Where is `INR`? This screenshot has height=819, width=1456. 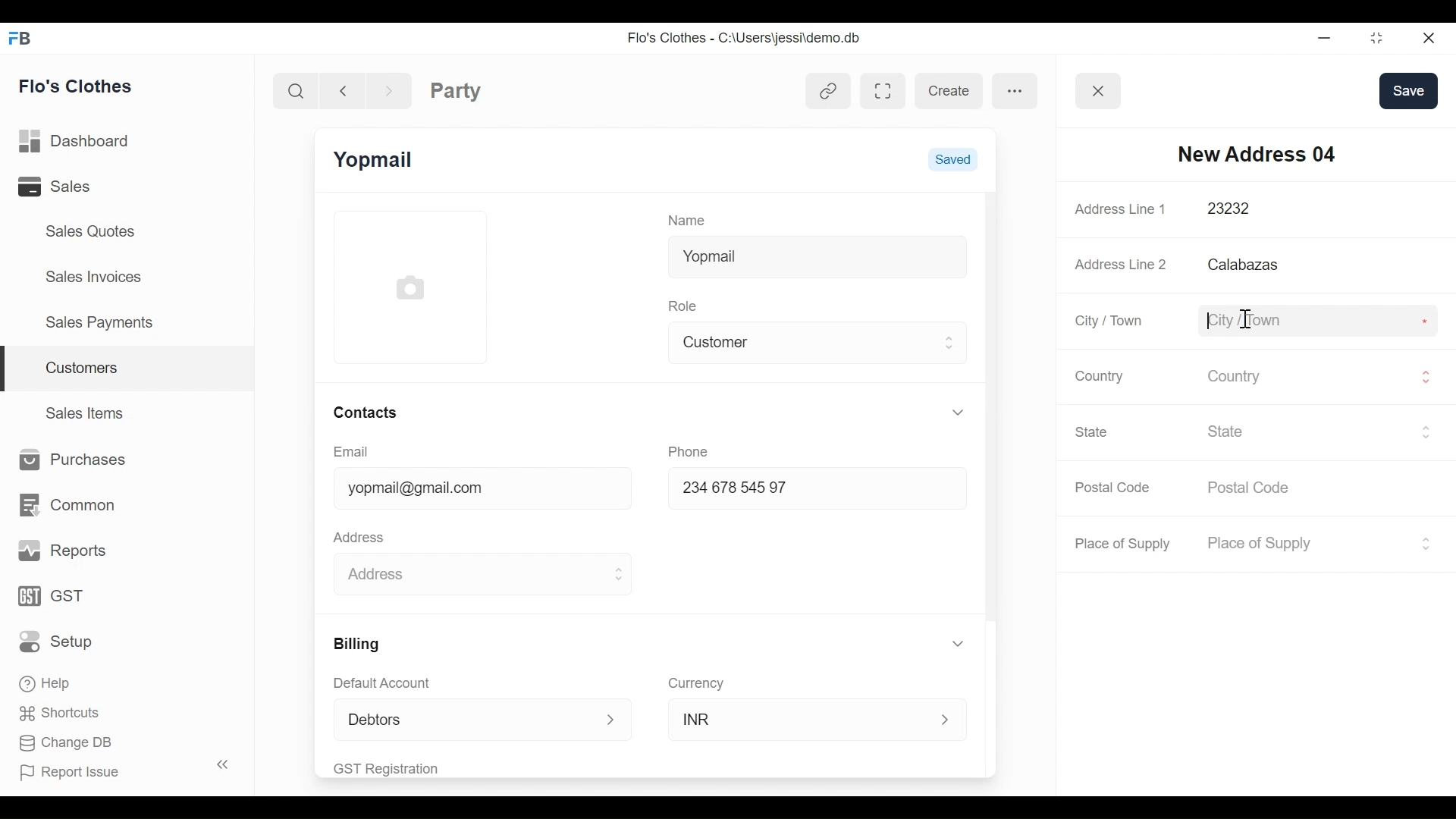 INR is located at coordinates (801, 718).